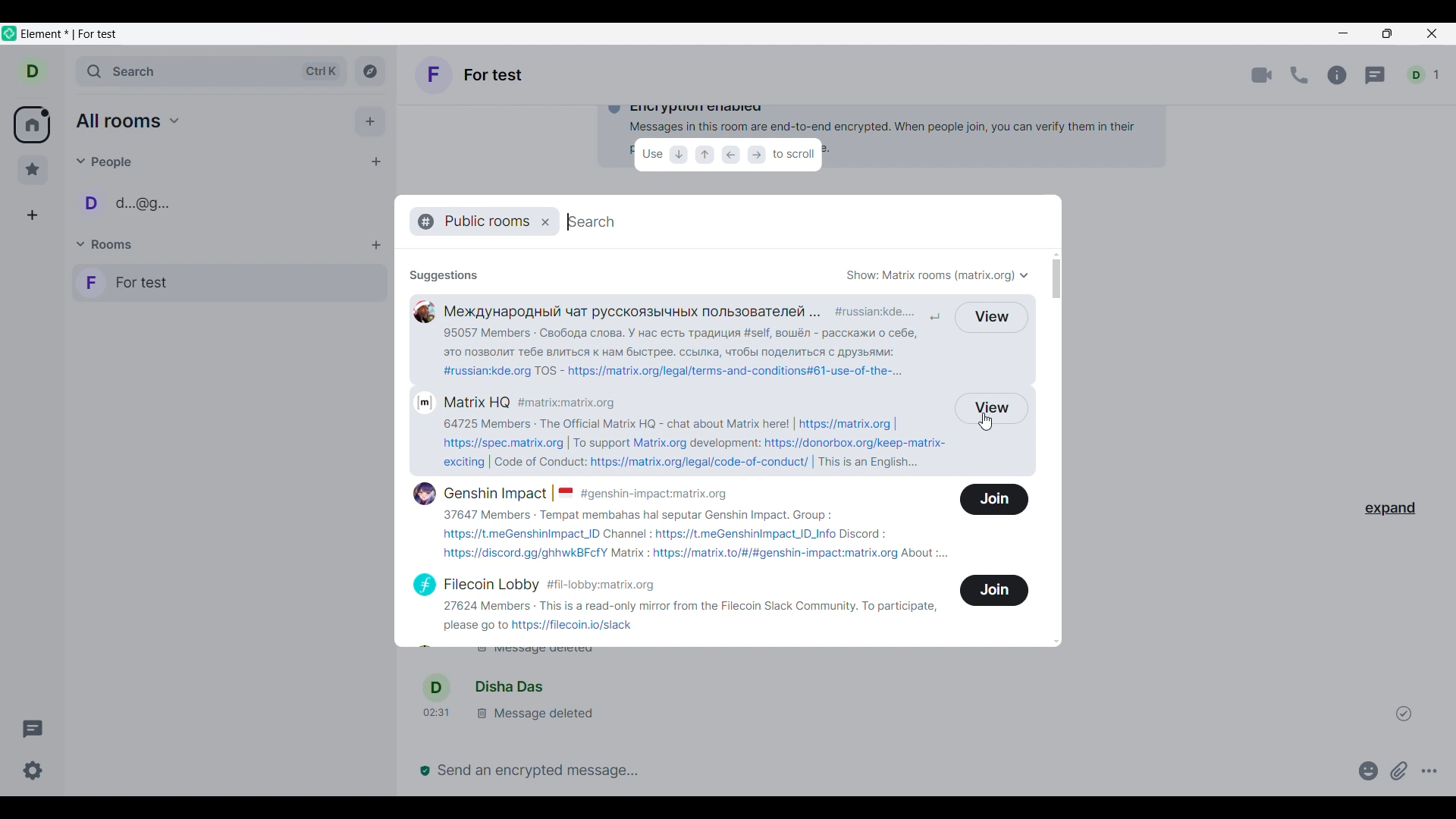 The image size is (1456, 819). I want to click on up to scroll, so click(704, 155).